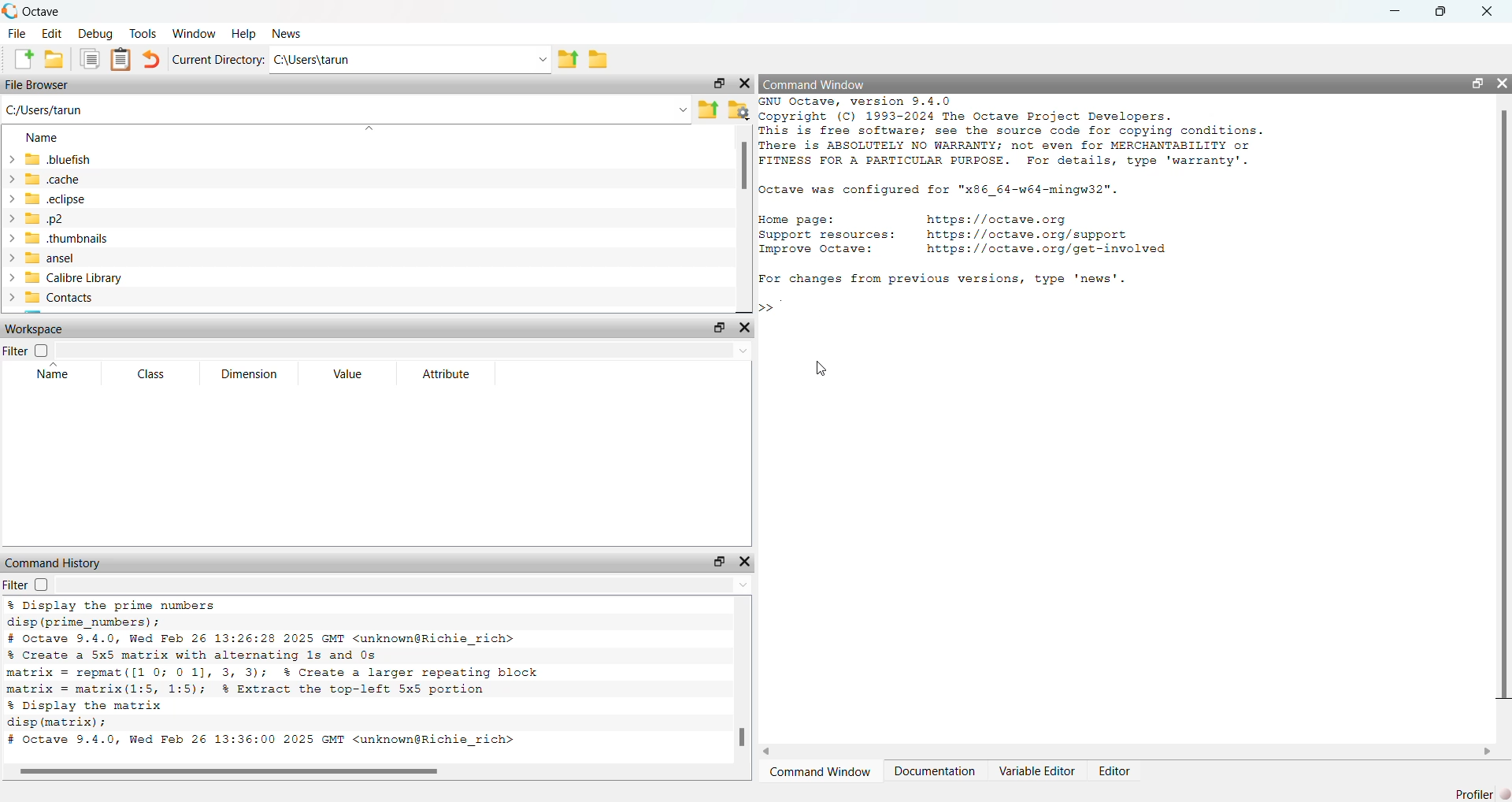 The width and height of the screenshot is (1512, 802). Describe the element at coordinates (765, 306) in the screenshot. I see `prompt cursor` at that location.